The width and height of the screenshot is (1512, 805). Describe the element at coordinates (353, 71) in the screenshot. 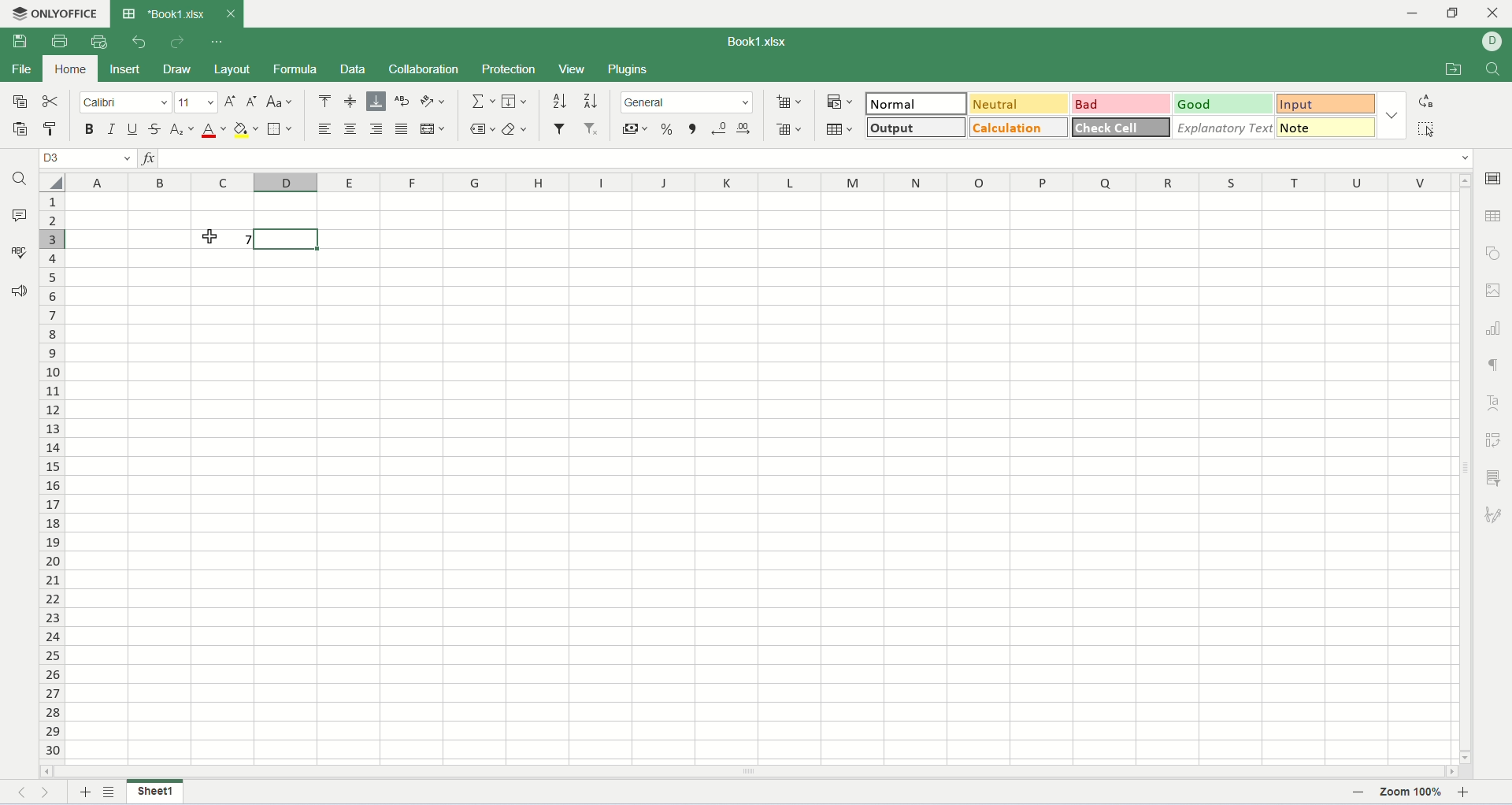

I see `data` at that location.